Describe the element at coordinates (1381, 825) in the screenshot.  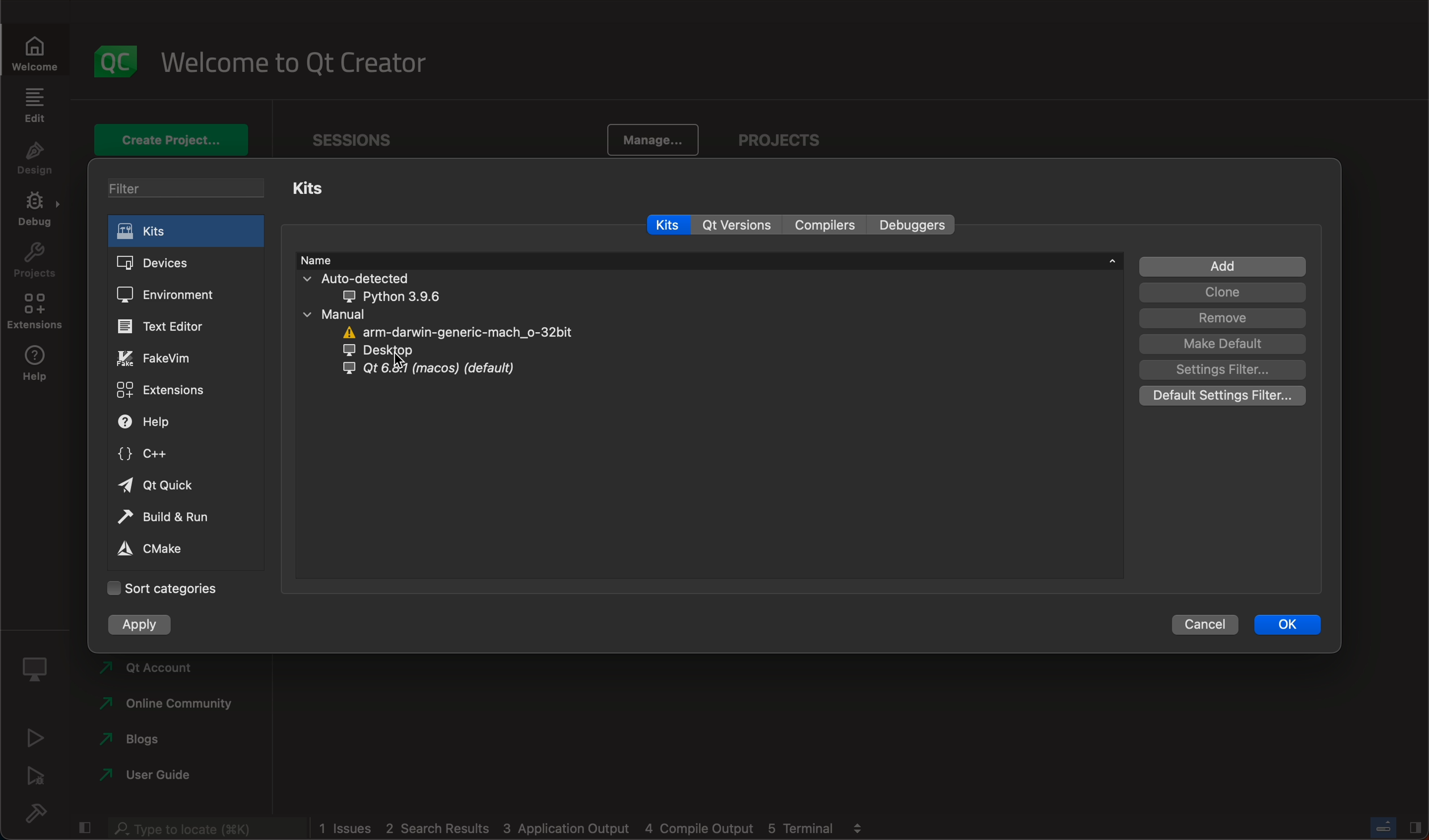
I see `Toggle progress bar` at that location.